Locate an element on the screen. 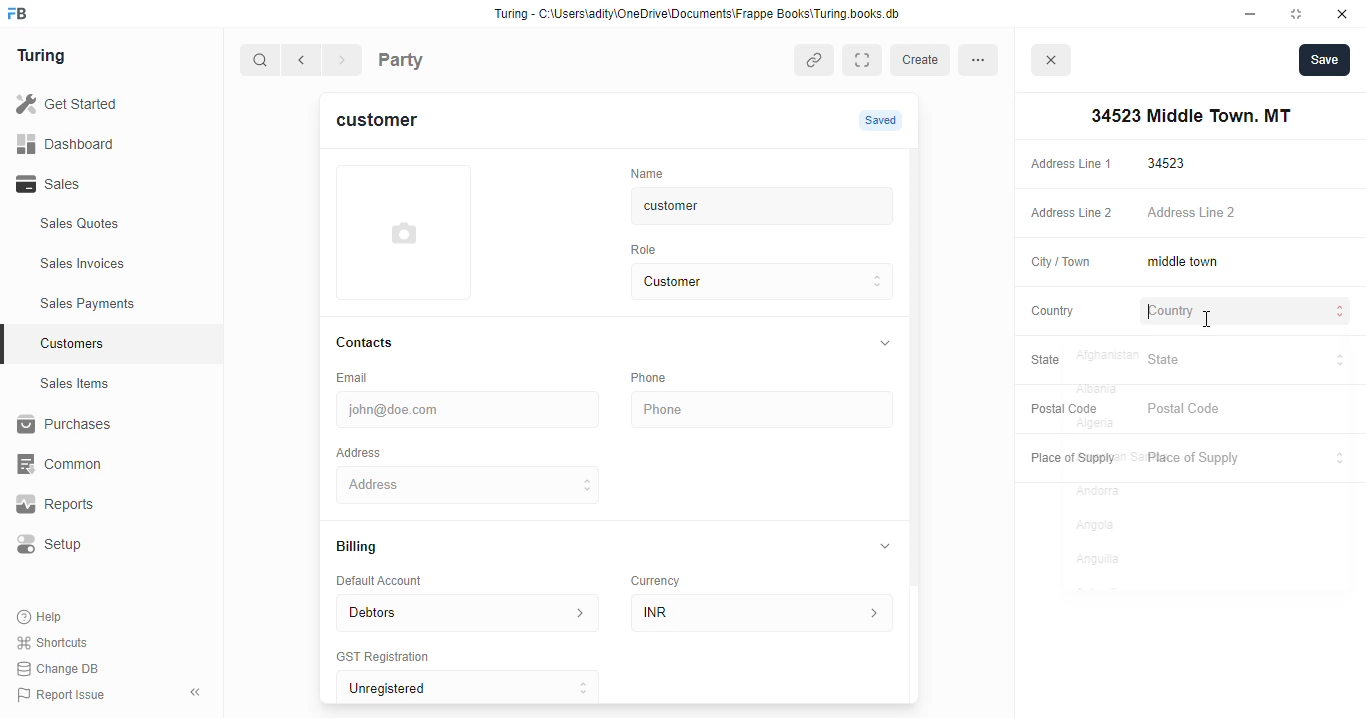  Setup is located at coordinates (101, 544).